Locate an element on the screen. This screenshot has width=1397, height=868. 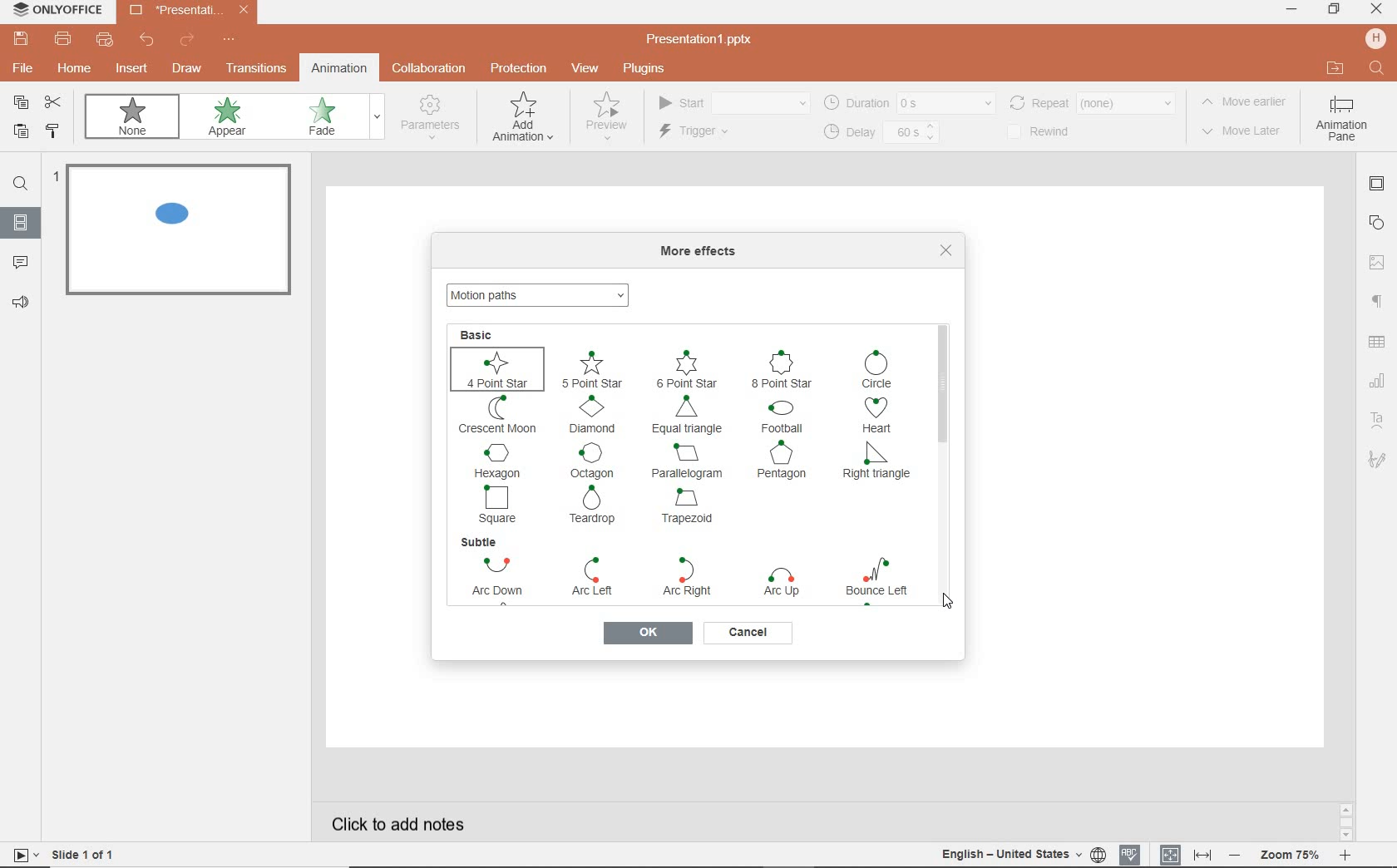
undo is located at coordinates (148, 42).